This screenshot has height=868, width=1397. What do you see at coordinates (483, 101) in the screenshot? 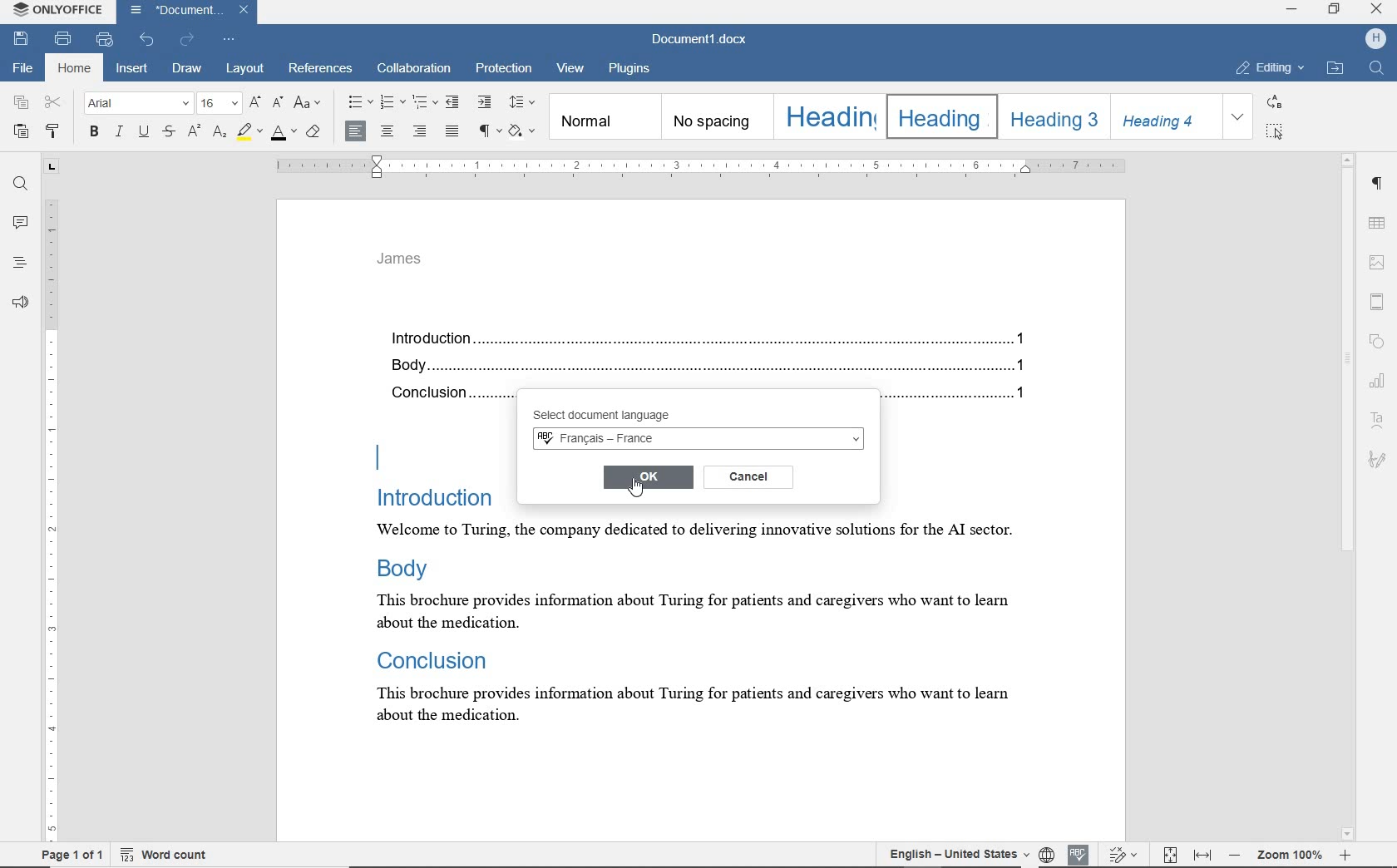
I see `increase indent` at bounding box center [483, 101].